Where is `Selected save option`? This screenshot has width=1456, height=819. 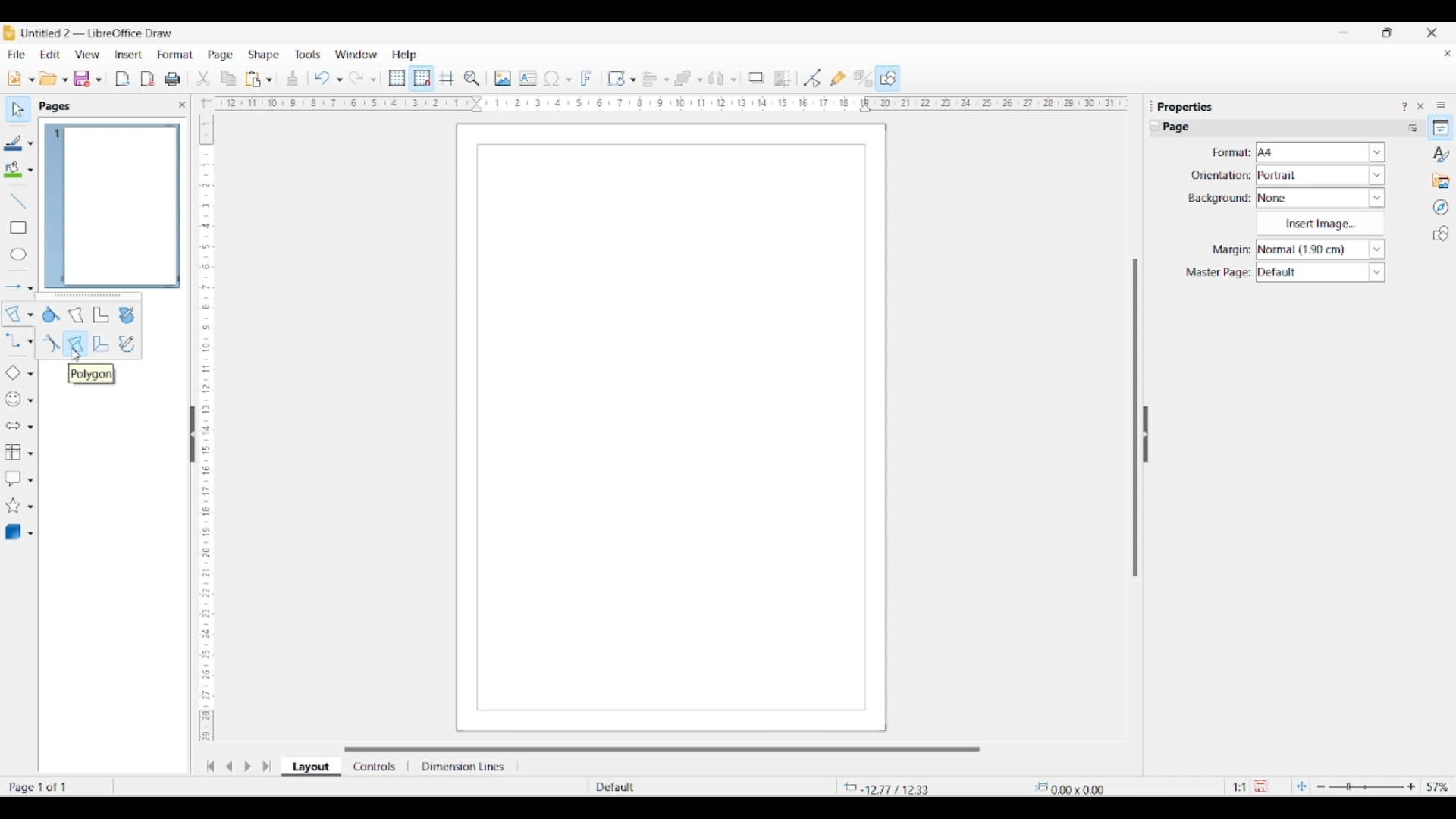
Selected save option is located at coordinates (83, 78).